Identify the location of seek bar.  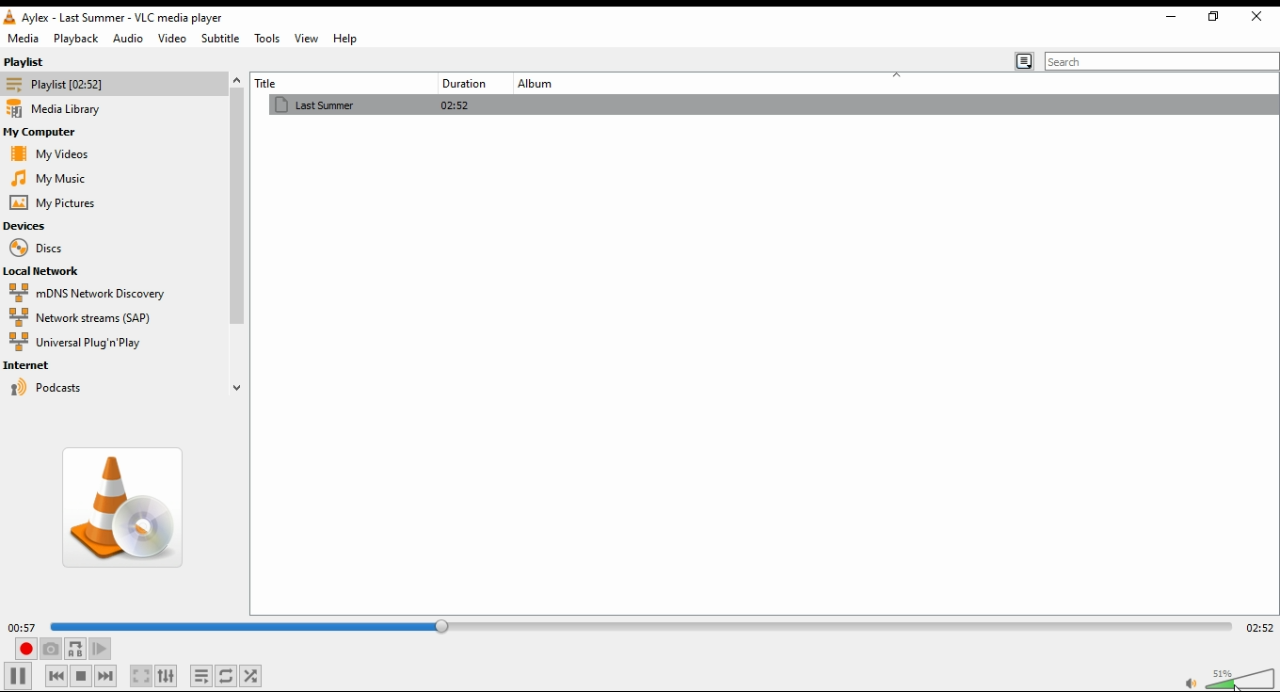
(636, 626).